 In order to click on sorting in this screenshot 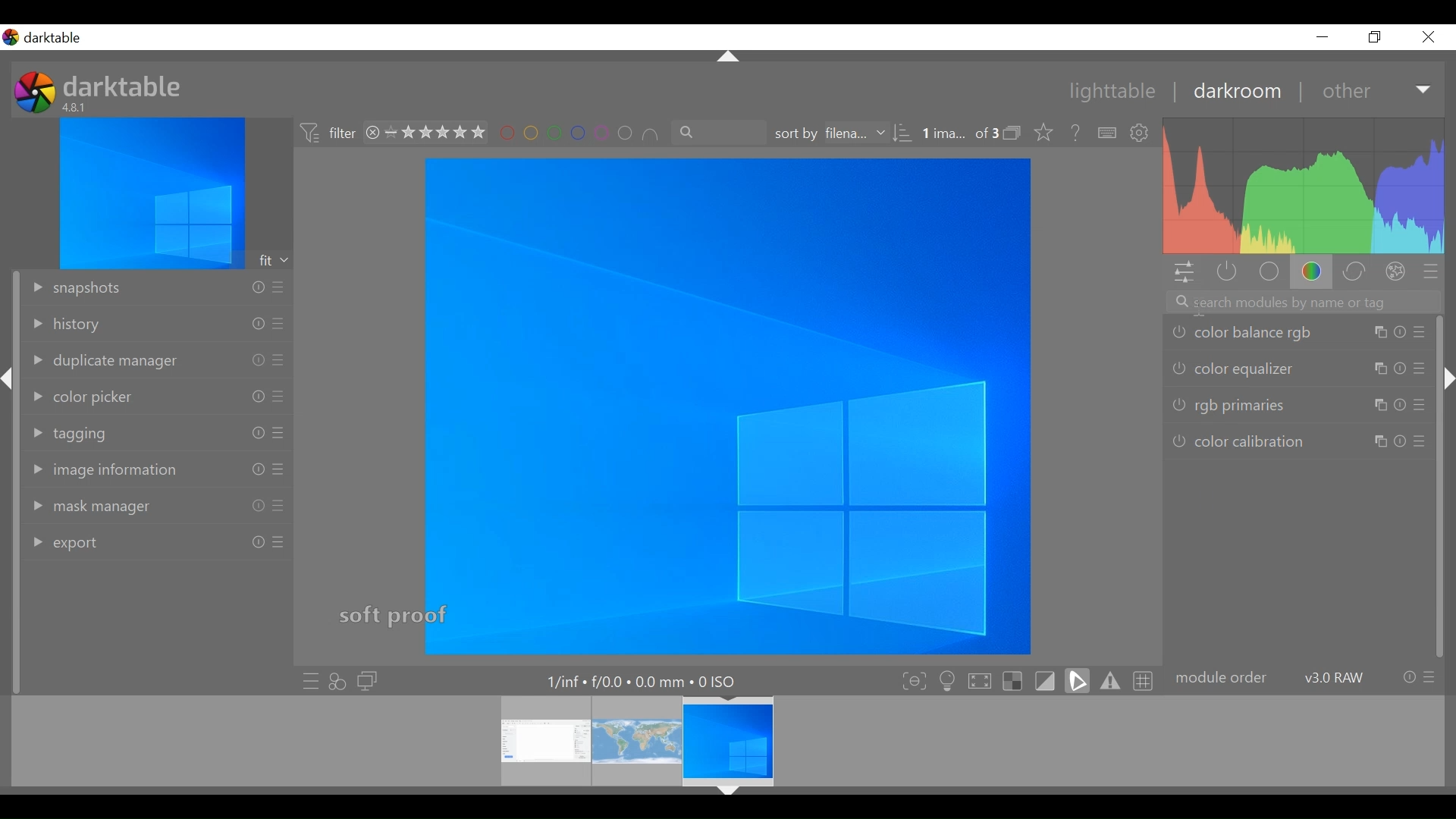, I will do `click(905, 133)`.